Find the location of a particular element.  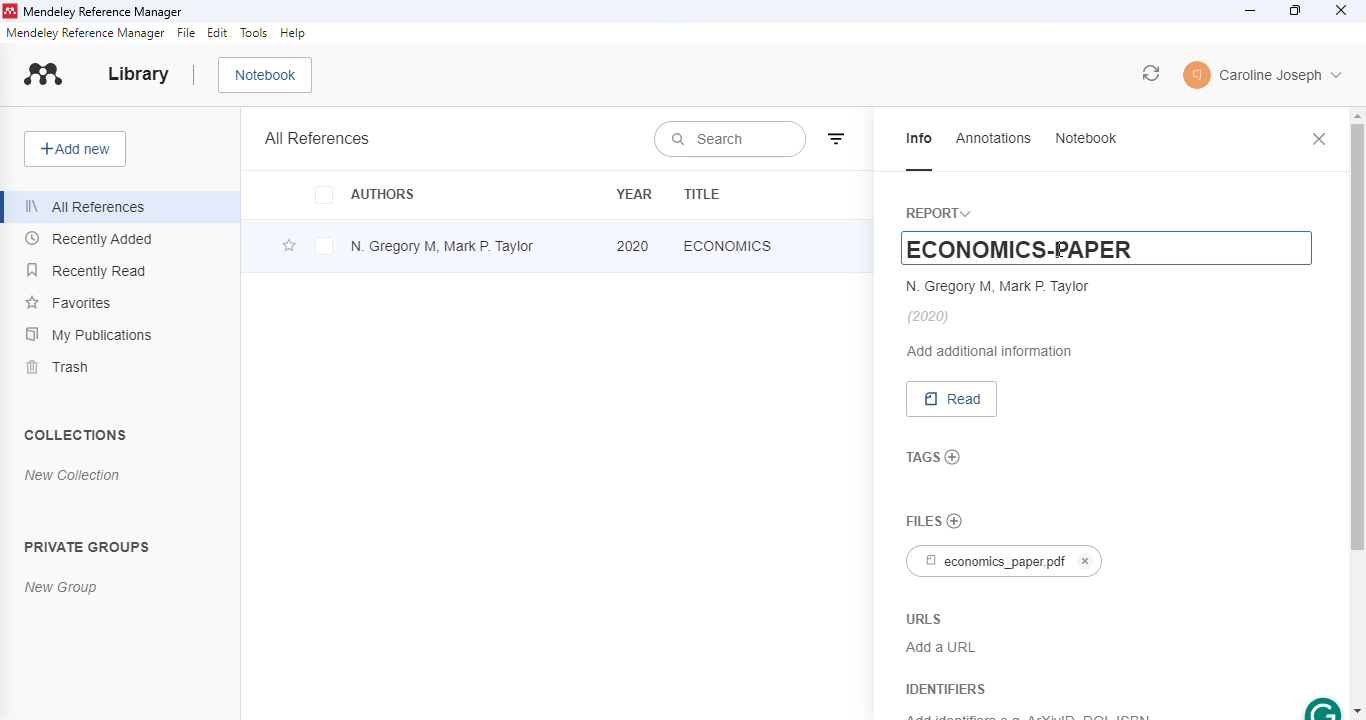

recently read is located at coordinates (86, 269).